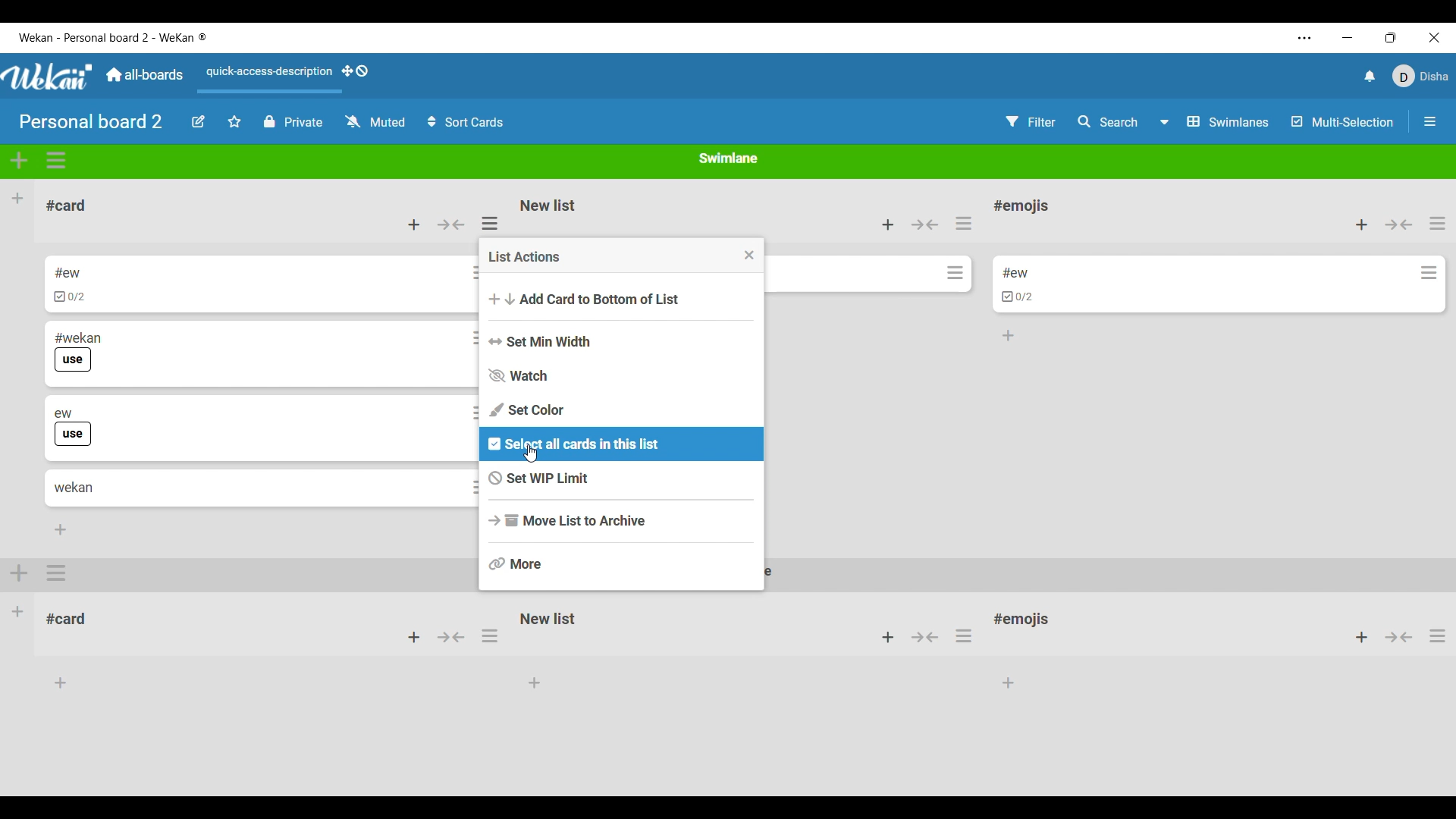 The width and height of the screenshot is (1456, 819). What do you see at coordinates (67, 272) in the screenshot?
I see `Card name` at bounding box center [67, 272].